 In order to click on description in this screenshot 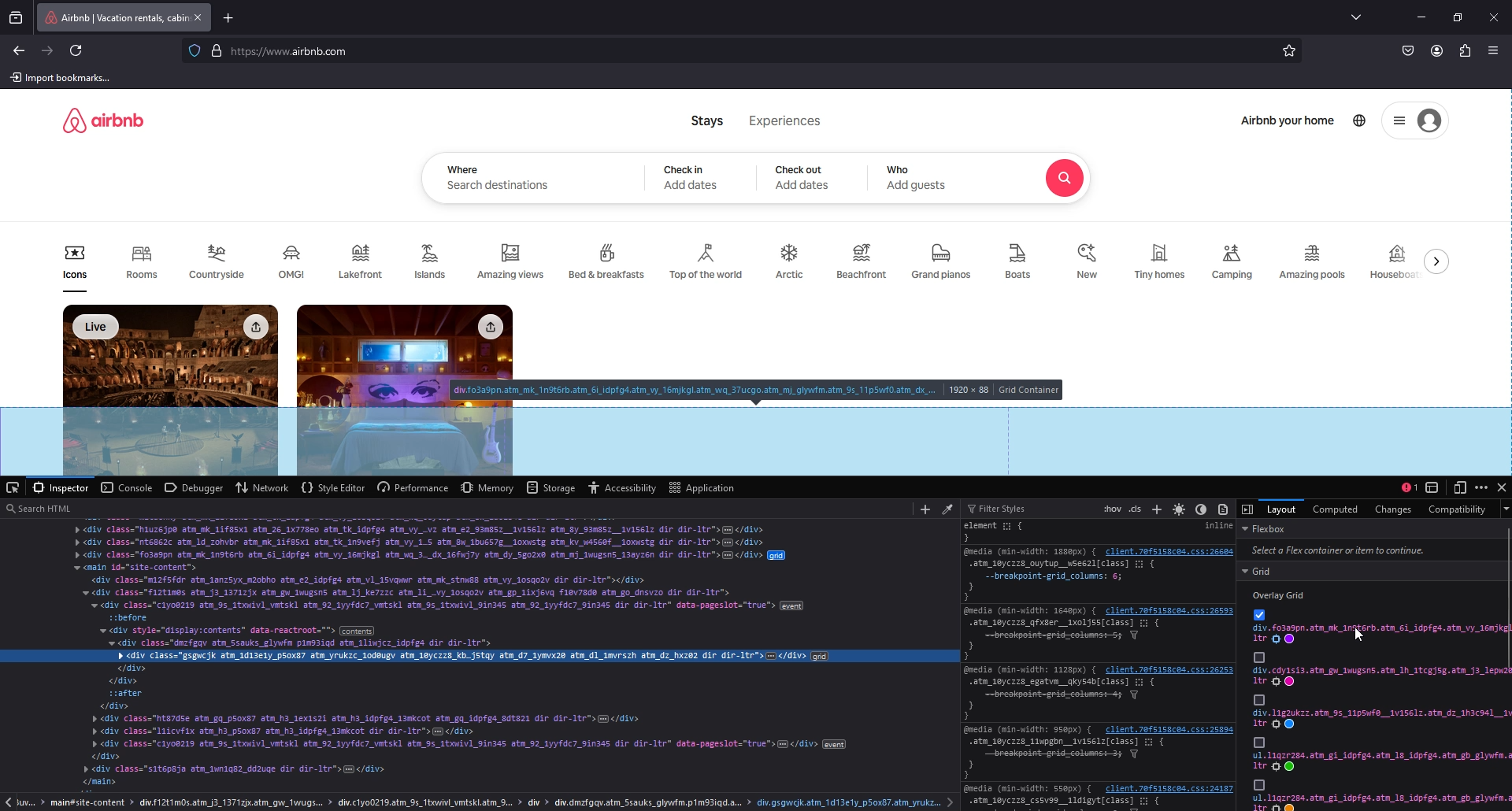, I will do `click(758, 391)`.